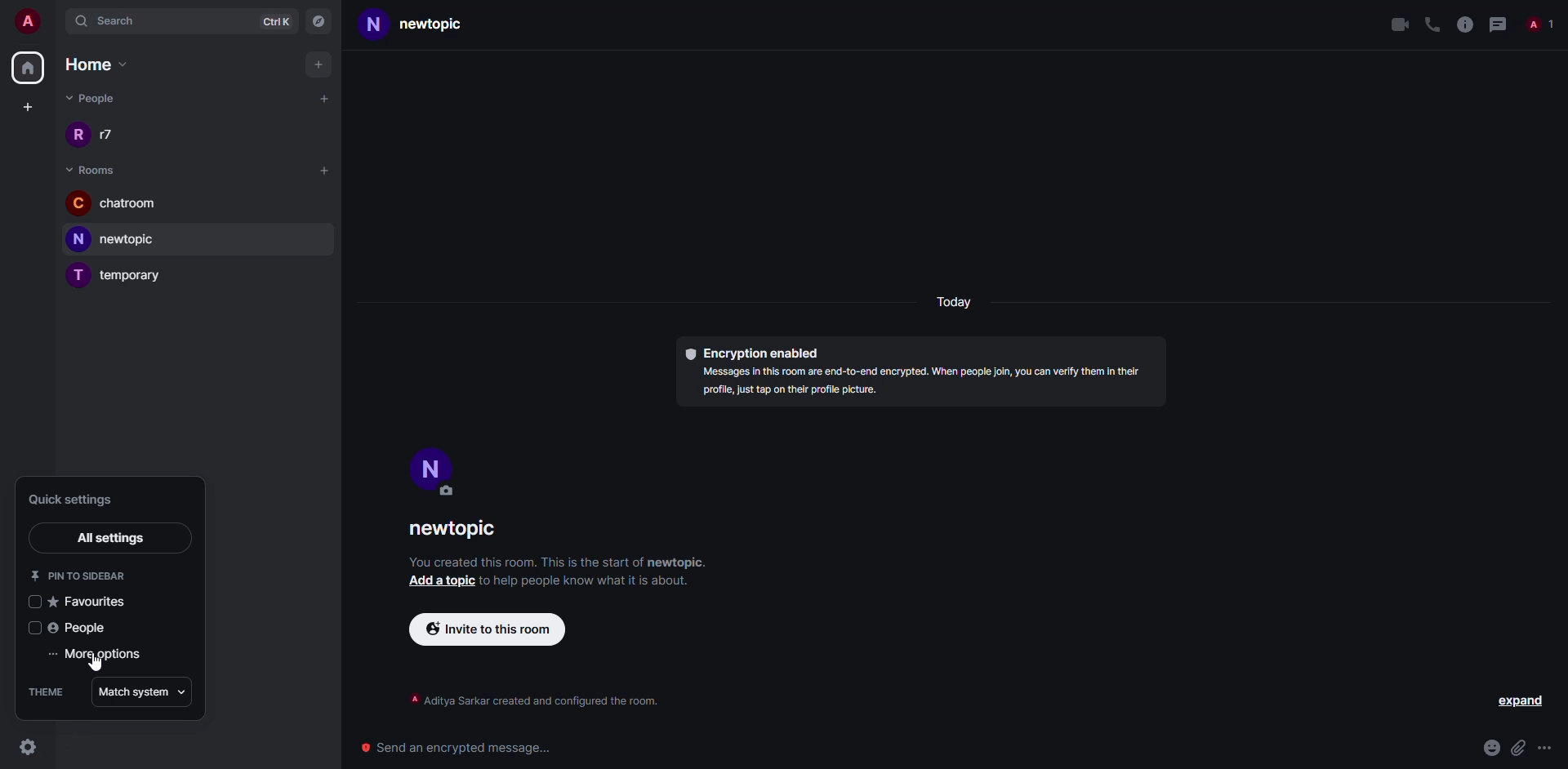 Image resolution: width=1568 pixels, height=769 pixels. What do you see at coordinates (1539, 24) in the screenshot?
I see `people` at bounding box center [1539, 24].